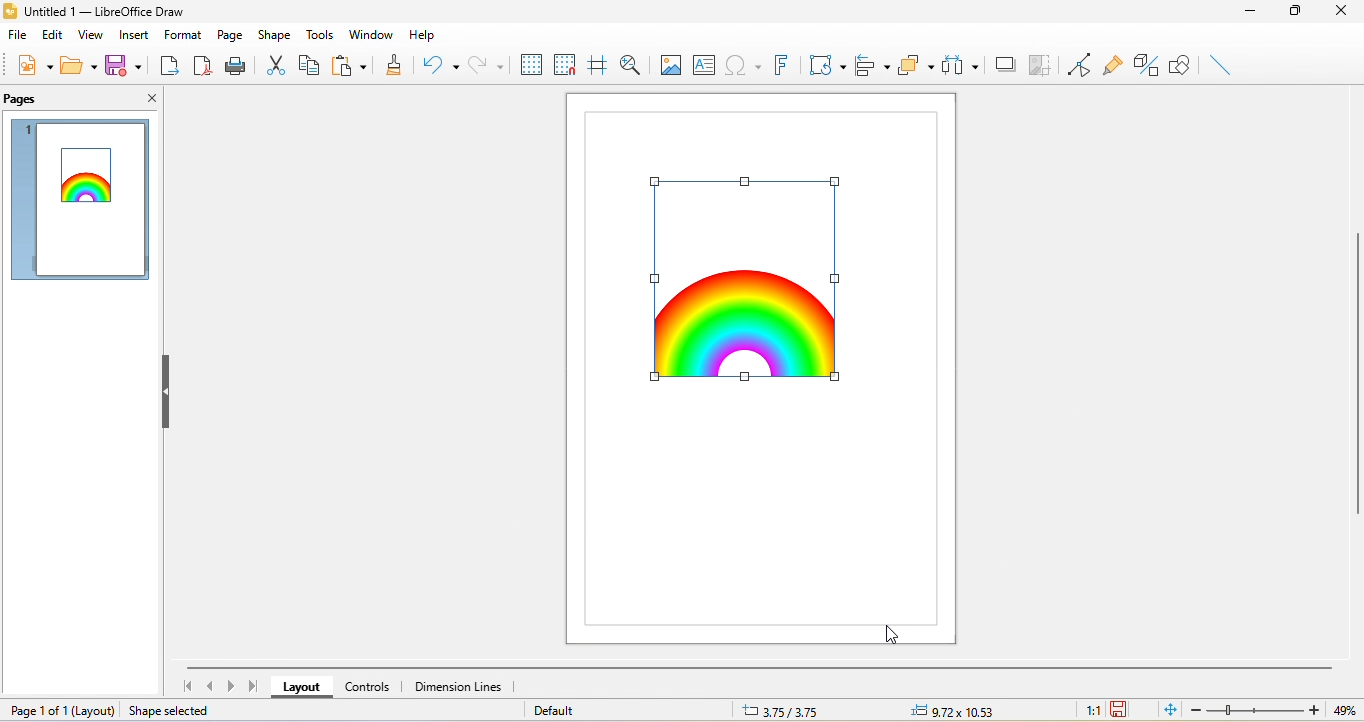 The width and height of the screenshot is (1364, 722). Describe the element at coordinates (112, 12) in the screenshot. I see `title` at that location.